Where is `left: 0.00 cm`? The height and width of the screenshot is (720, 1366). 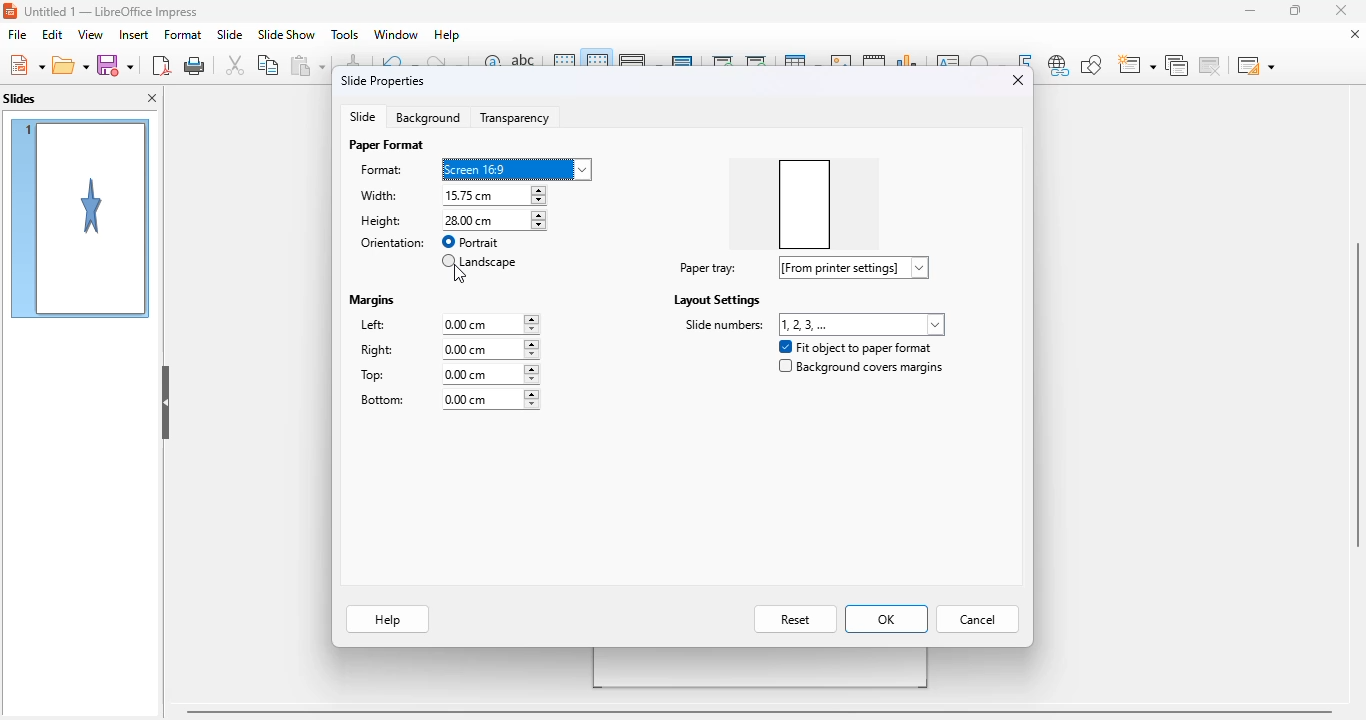 left: 0.00 cm is located at coordinates (480, 324).